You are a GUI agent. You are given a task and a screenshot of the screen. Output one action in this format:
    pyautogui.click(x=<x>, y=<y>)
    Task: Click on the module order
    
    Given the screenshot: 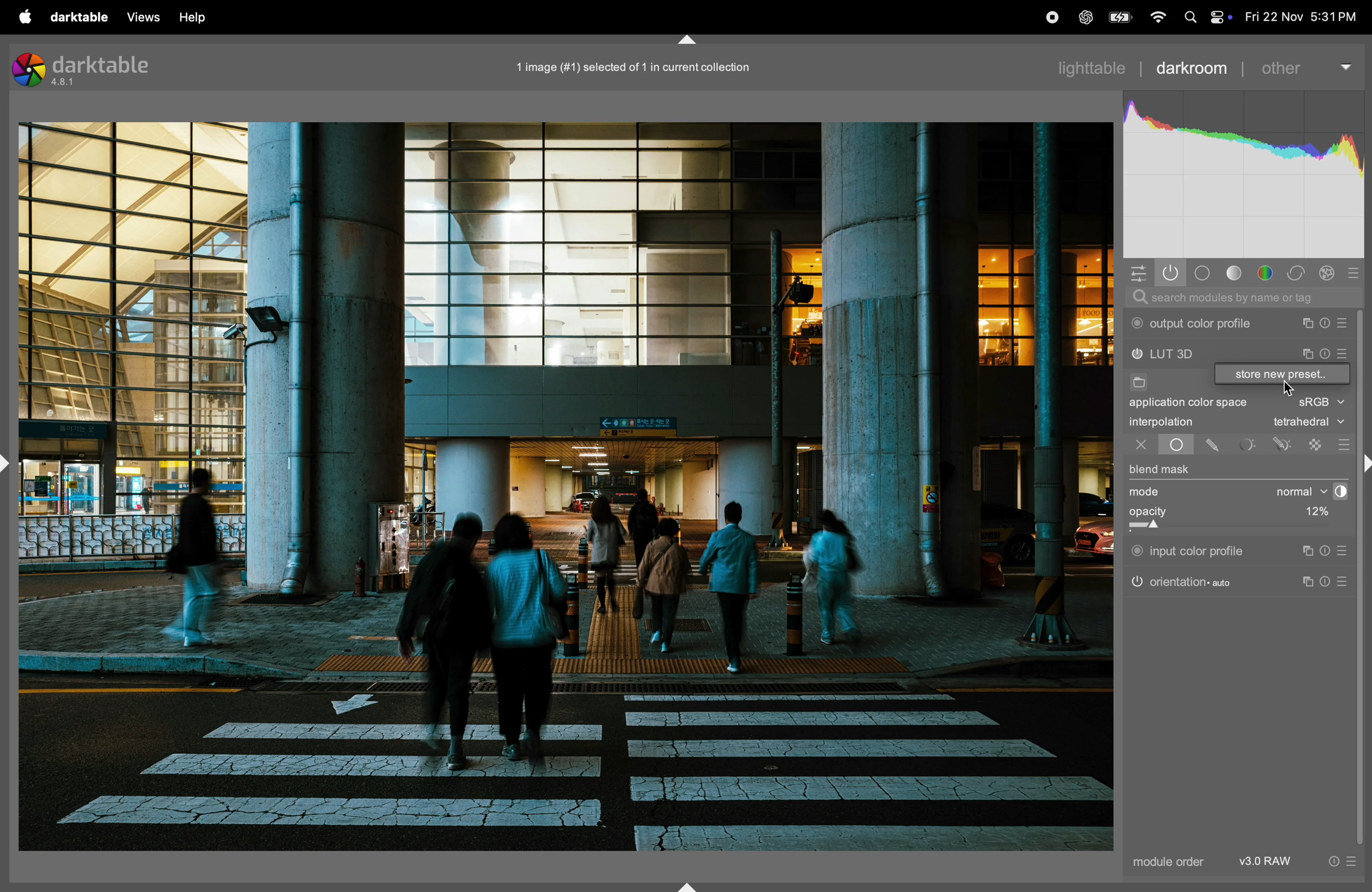 What is the action you would take?
    pyautogui.click(x=1165, y=863)
    